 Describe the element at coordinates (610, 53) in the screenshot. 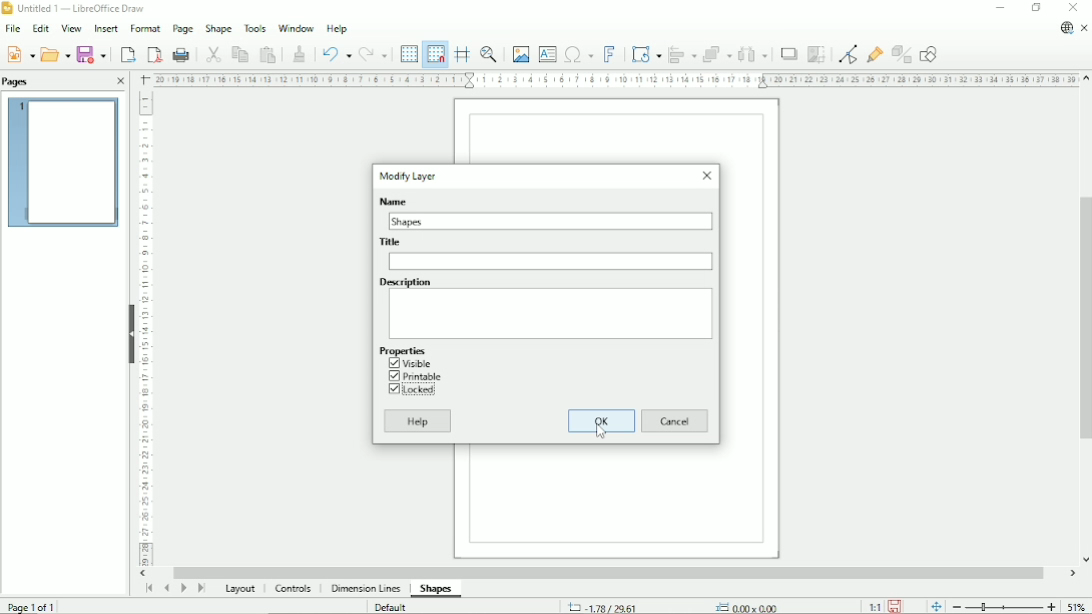

I see `Insert fontwork text` at that location.